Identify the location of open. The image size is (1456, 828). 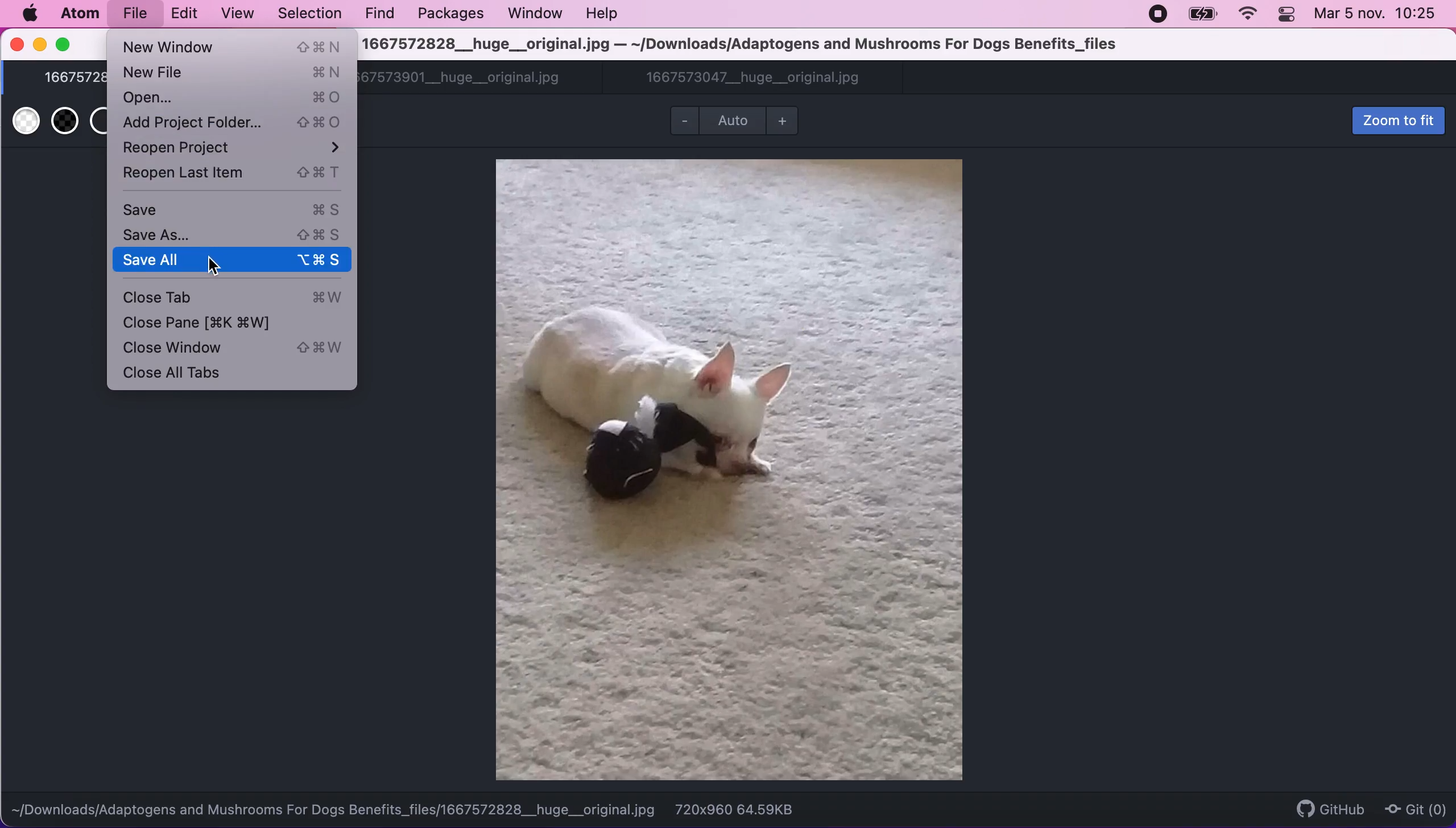
(230, 100).